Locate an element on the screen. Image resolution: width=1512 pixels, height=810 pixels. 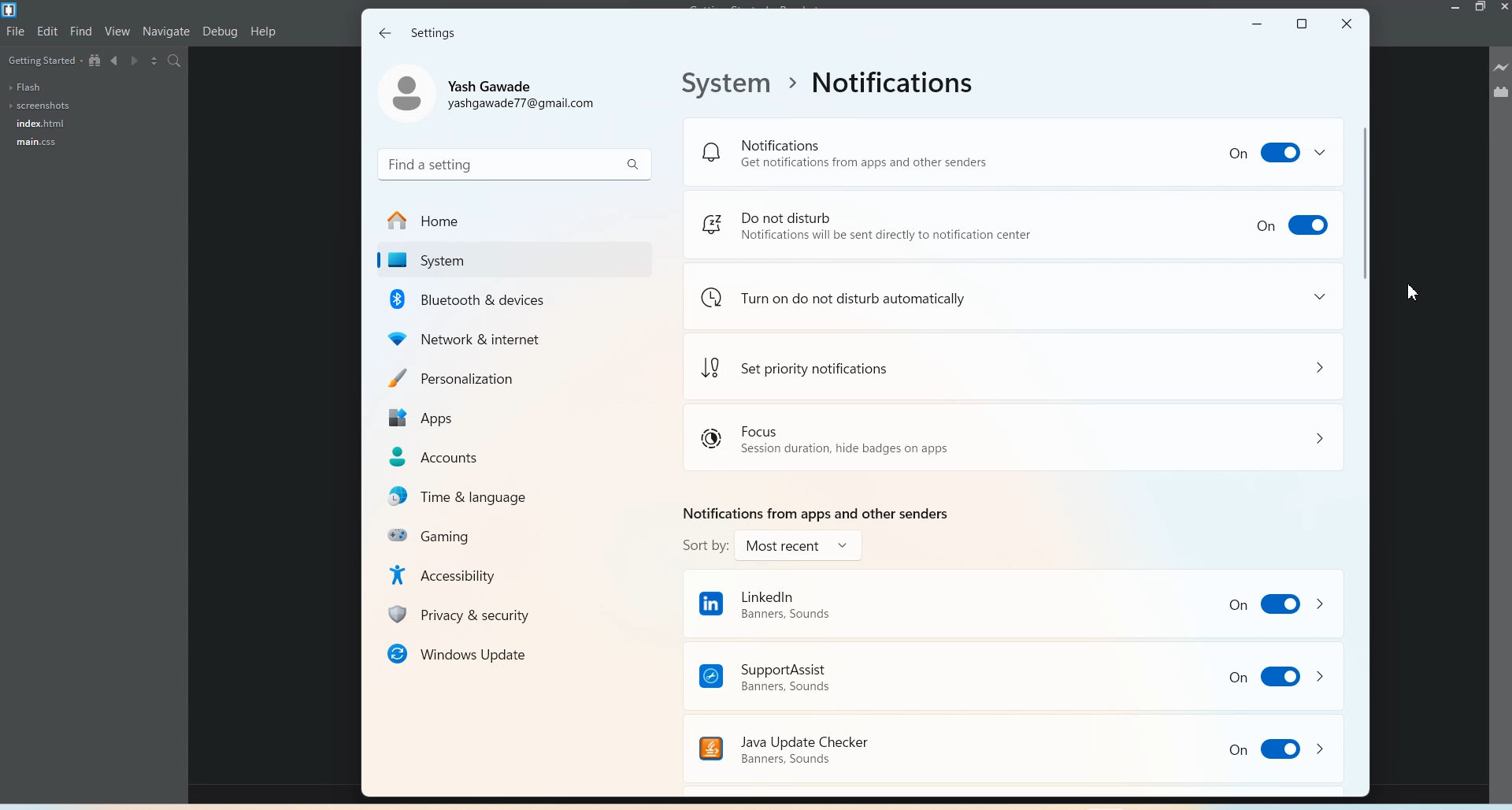
Search bar is located at coordinates (513, 163).